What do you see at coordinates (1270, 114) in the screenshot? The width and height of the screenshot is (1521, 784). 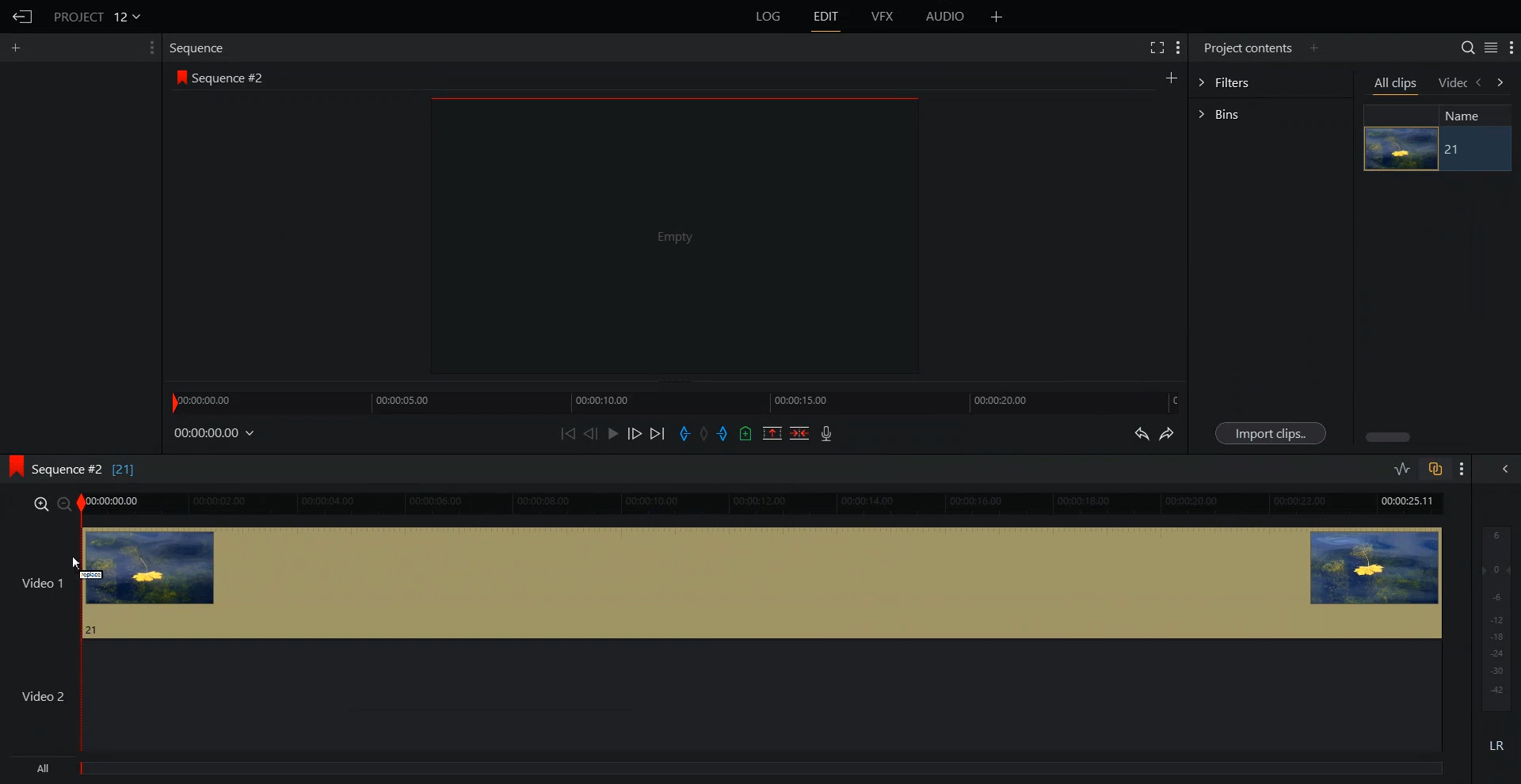 I see `Bins` at bounding box center [1270, 114].